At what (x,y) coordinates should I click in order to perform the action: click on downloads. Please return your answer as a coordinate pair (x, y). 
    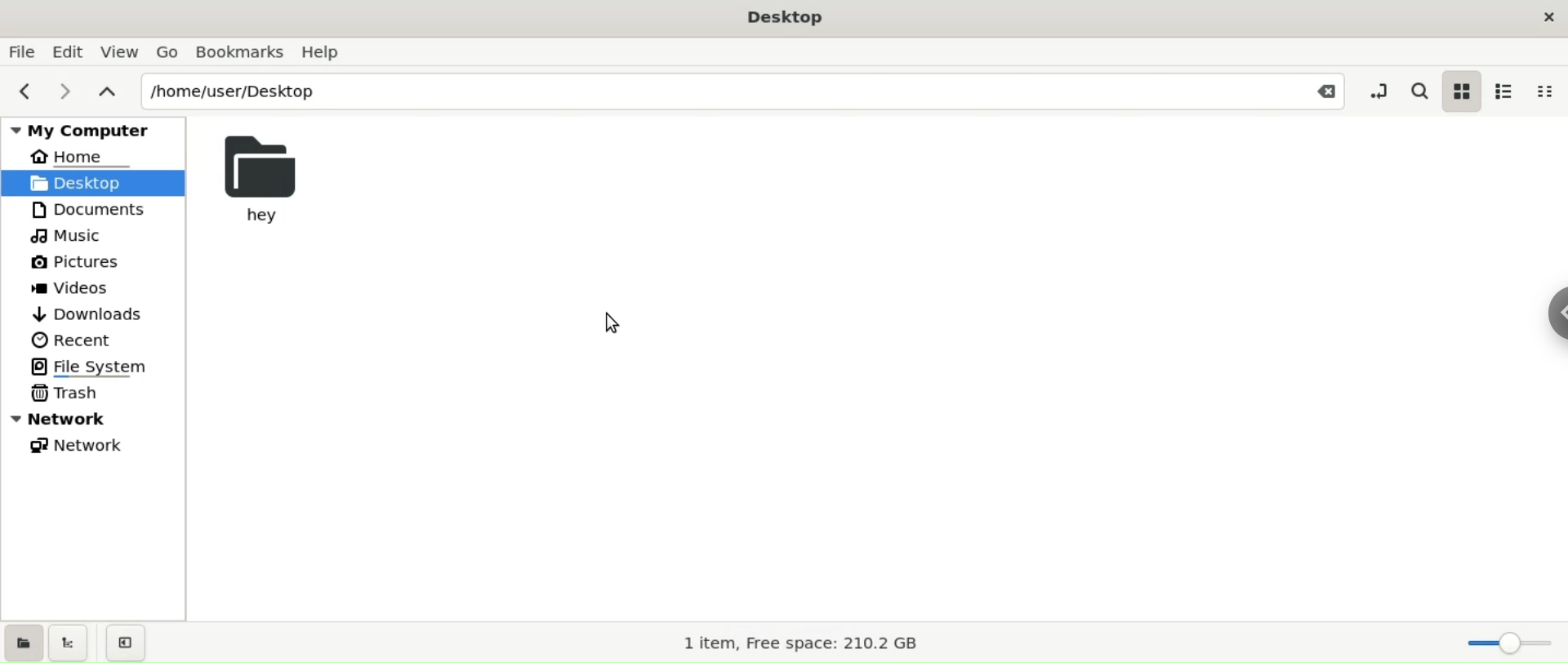
    Looking at the image, I should click on (91, 315).